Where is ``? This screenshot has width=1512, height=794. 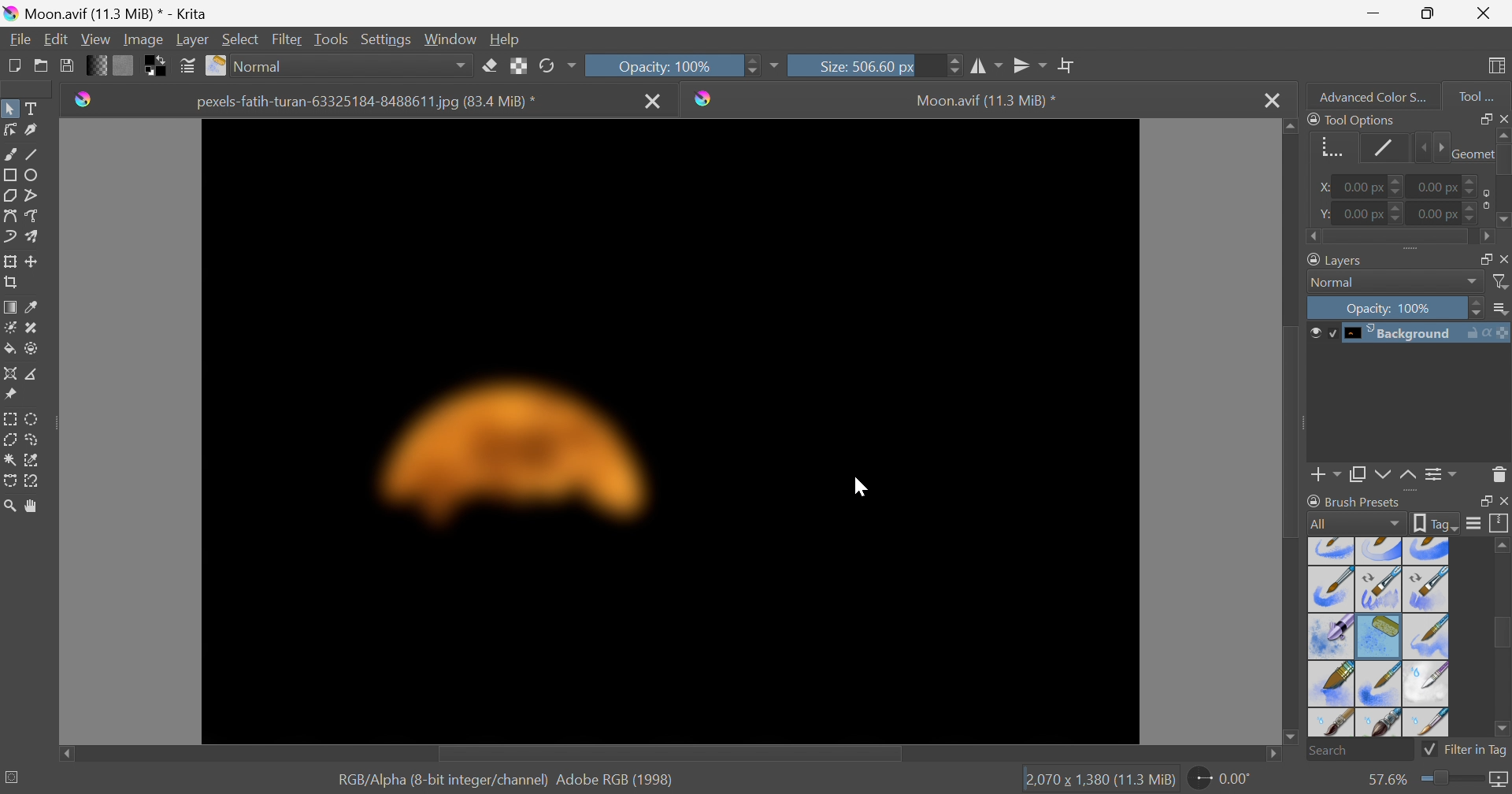
 is located at coordinates (13, 65).